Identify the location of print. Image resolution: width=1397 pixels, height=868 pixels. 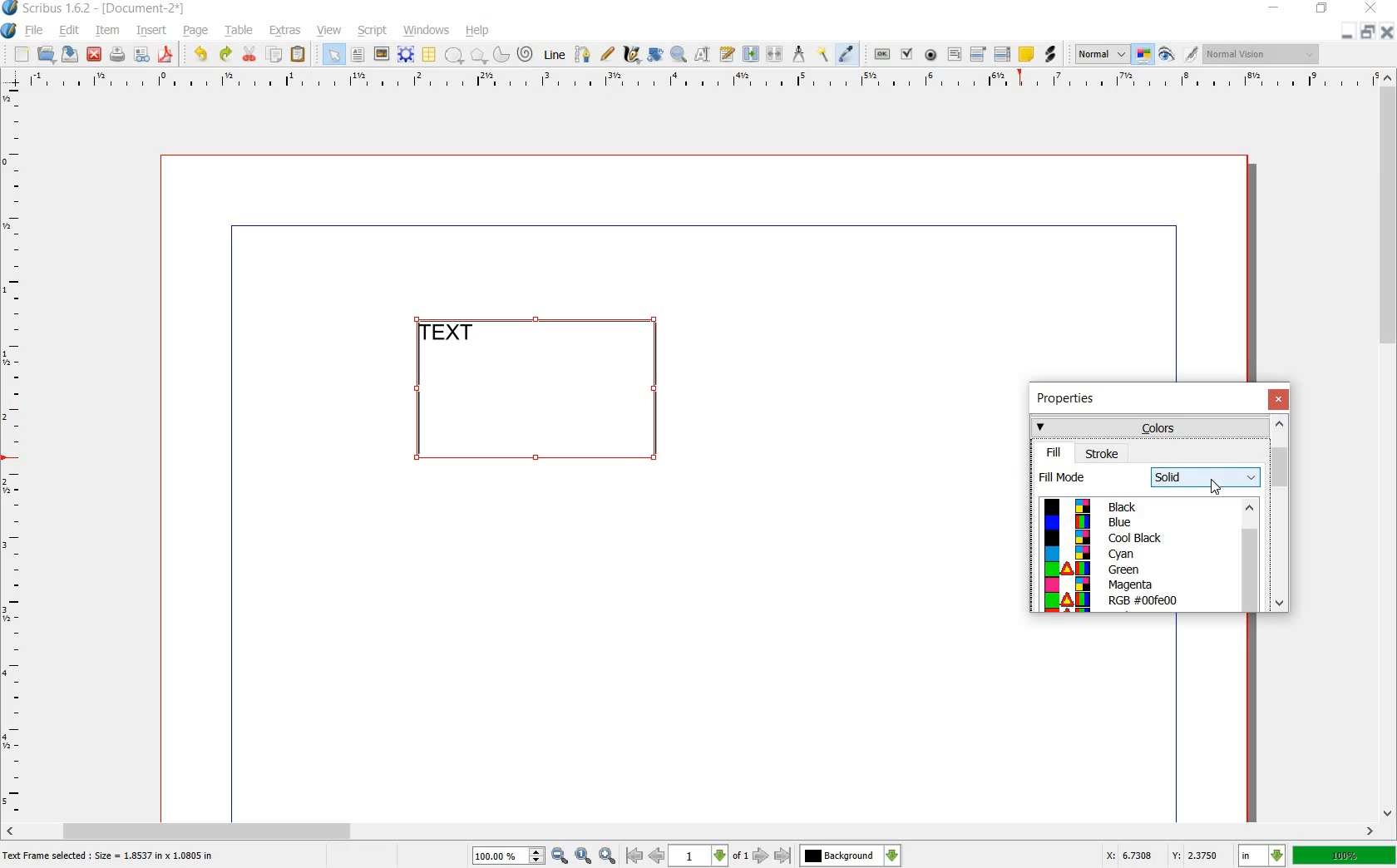
(117, 55).